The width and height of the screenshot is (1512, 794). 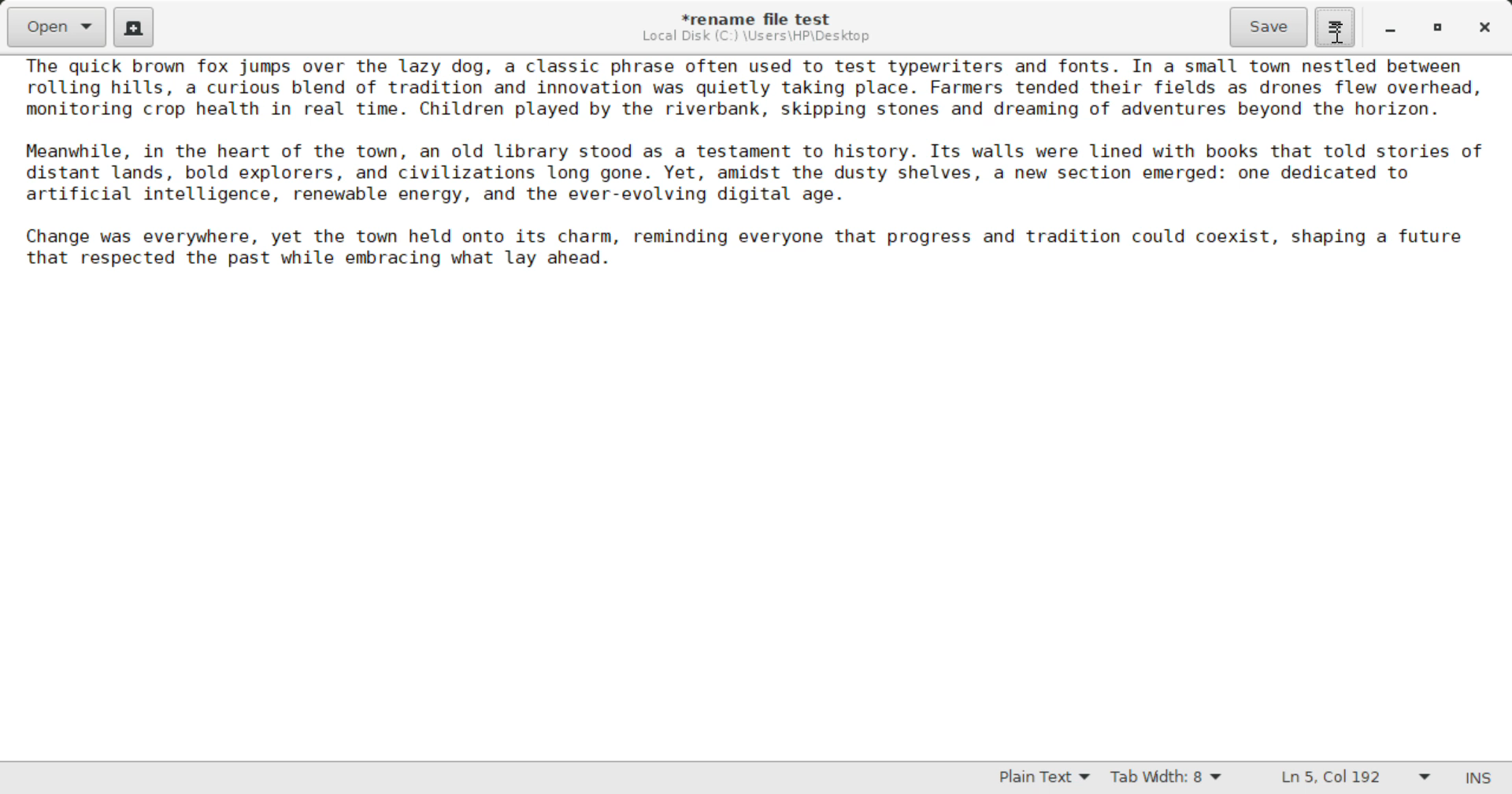 I want to click on Open Document, so click(x=57, y=25).